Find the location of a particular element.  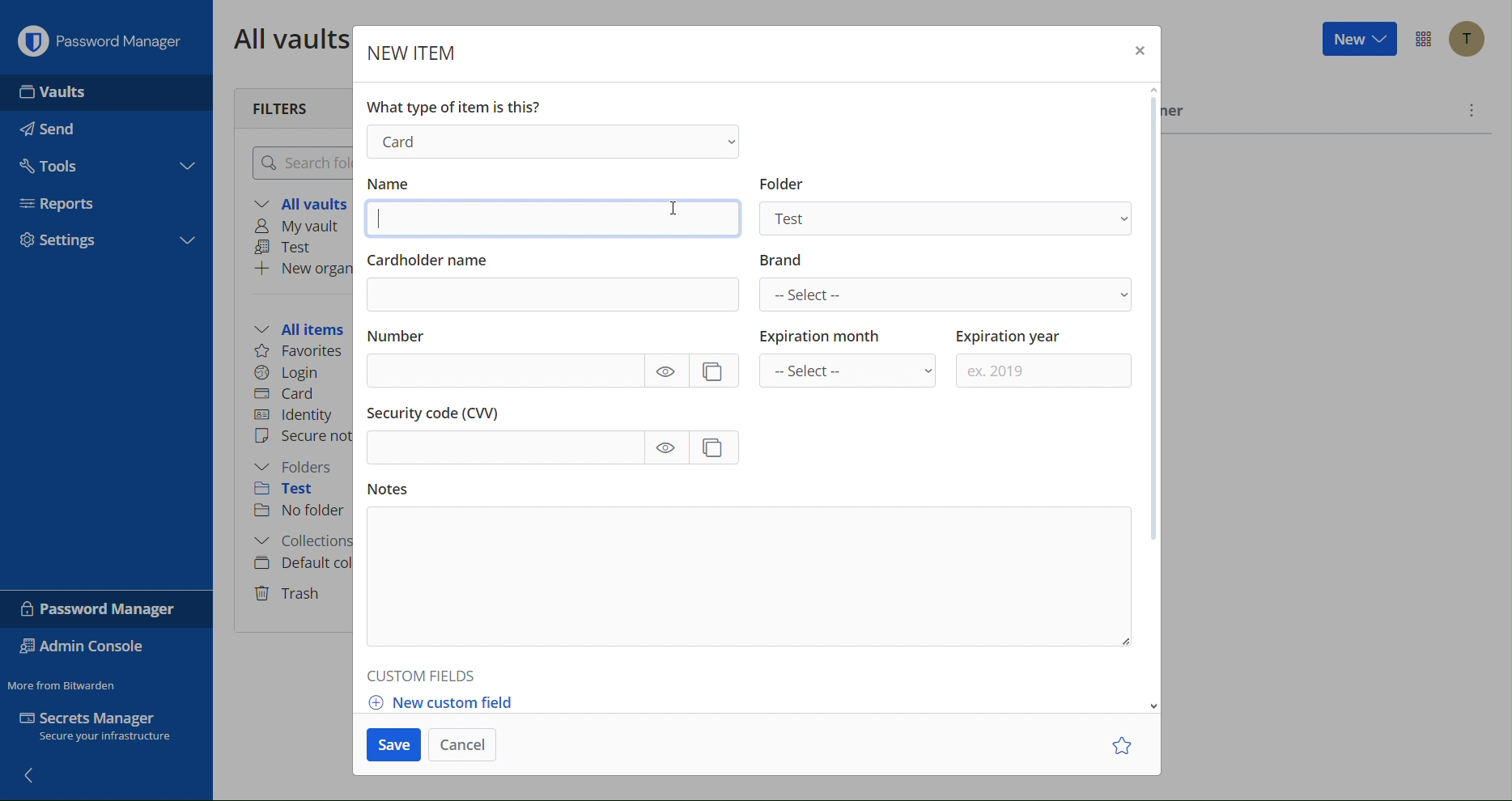

All vaults is located at coordinates (295, 201).